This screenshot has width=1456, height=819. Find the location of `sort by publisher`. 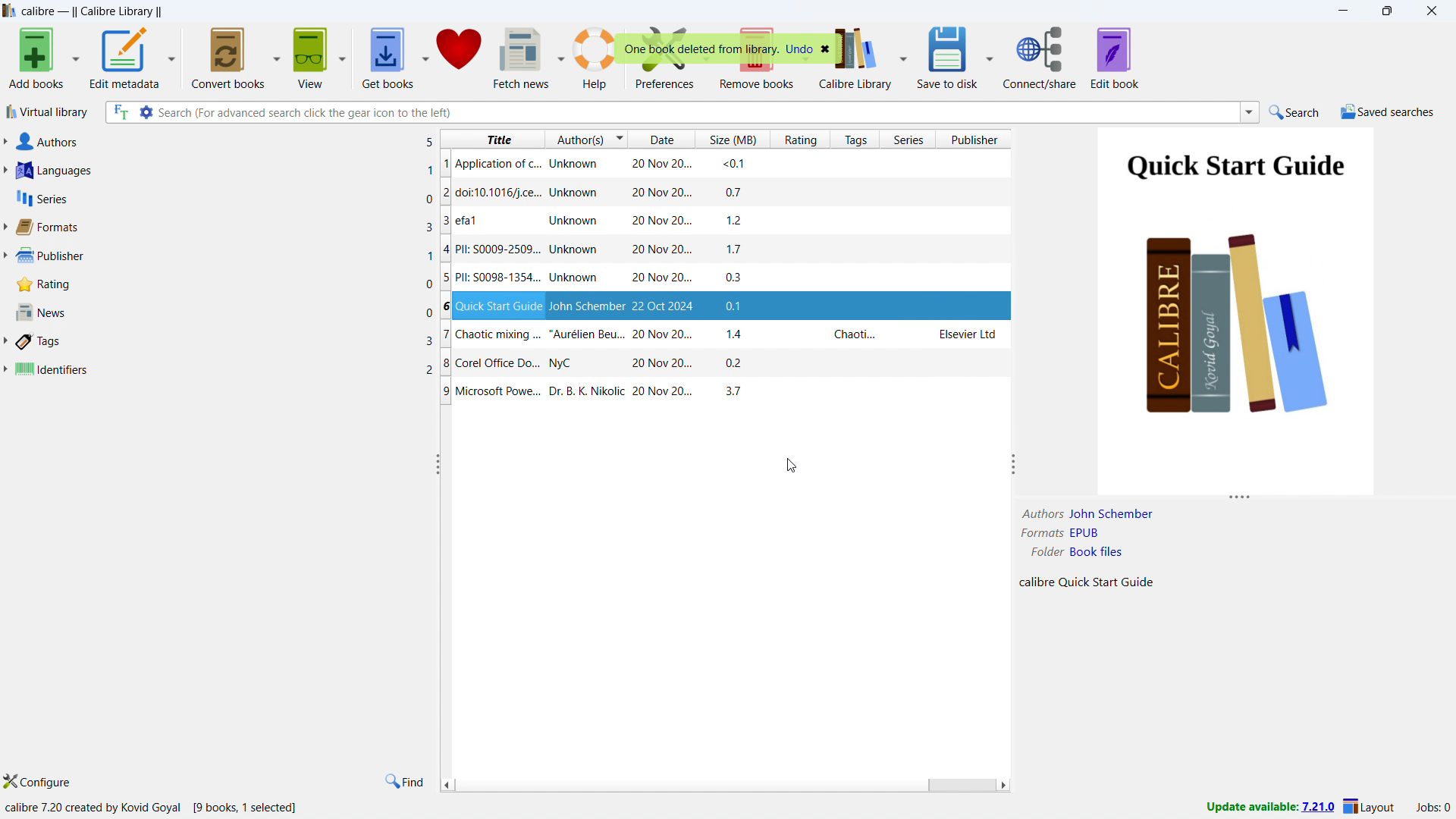

sort by publisher is located at coordinates (977, 140).